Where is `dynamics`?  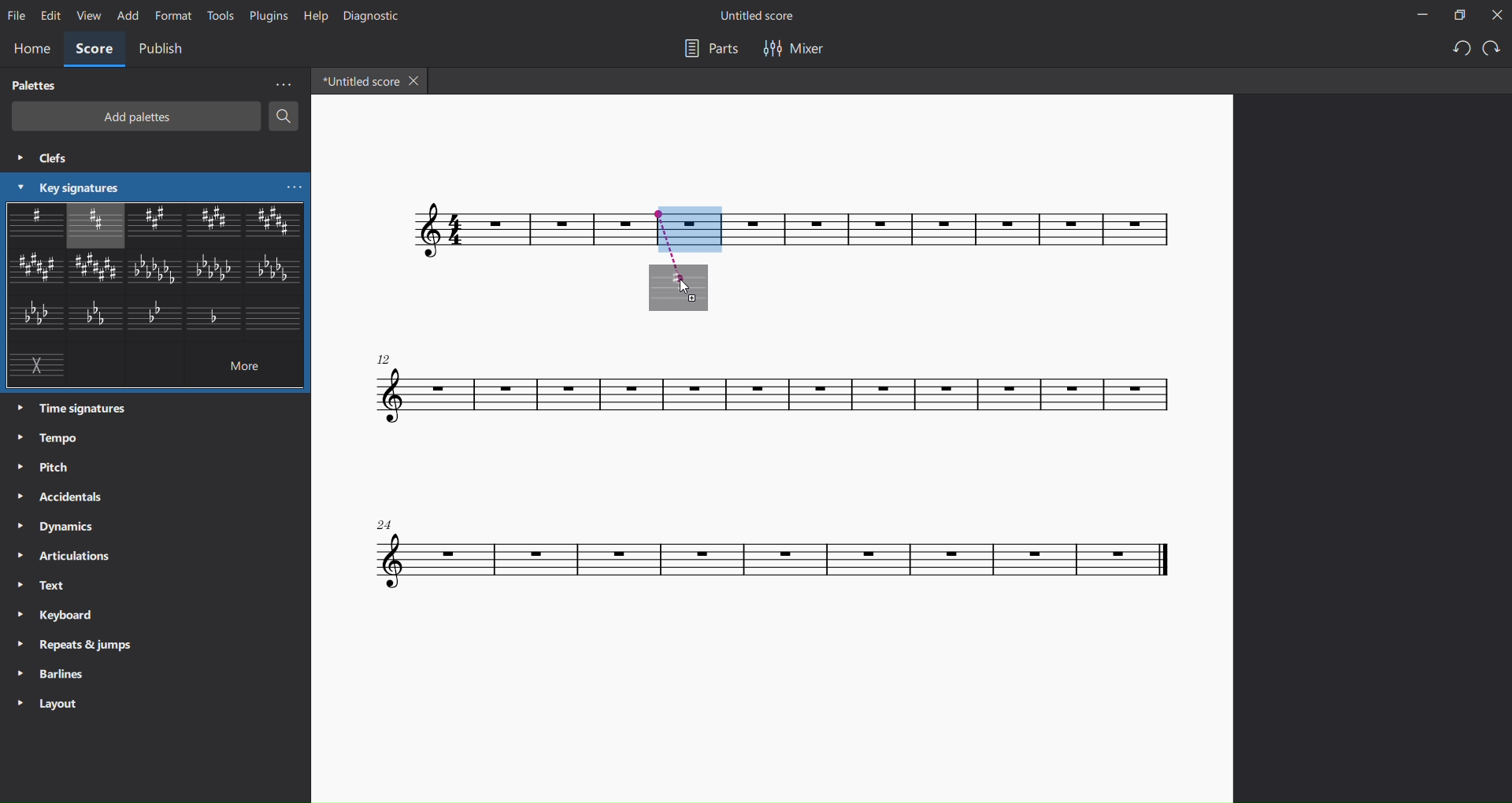 dynamics is located at coordinates (64, 528).